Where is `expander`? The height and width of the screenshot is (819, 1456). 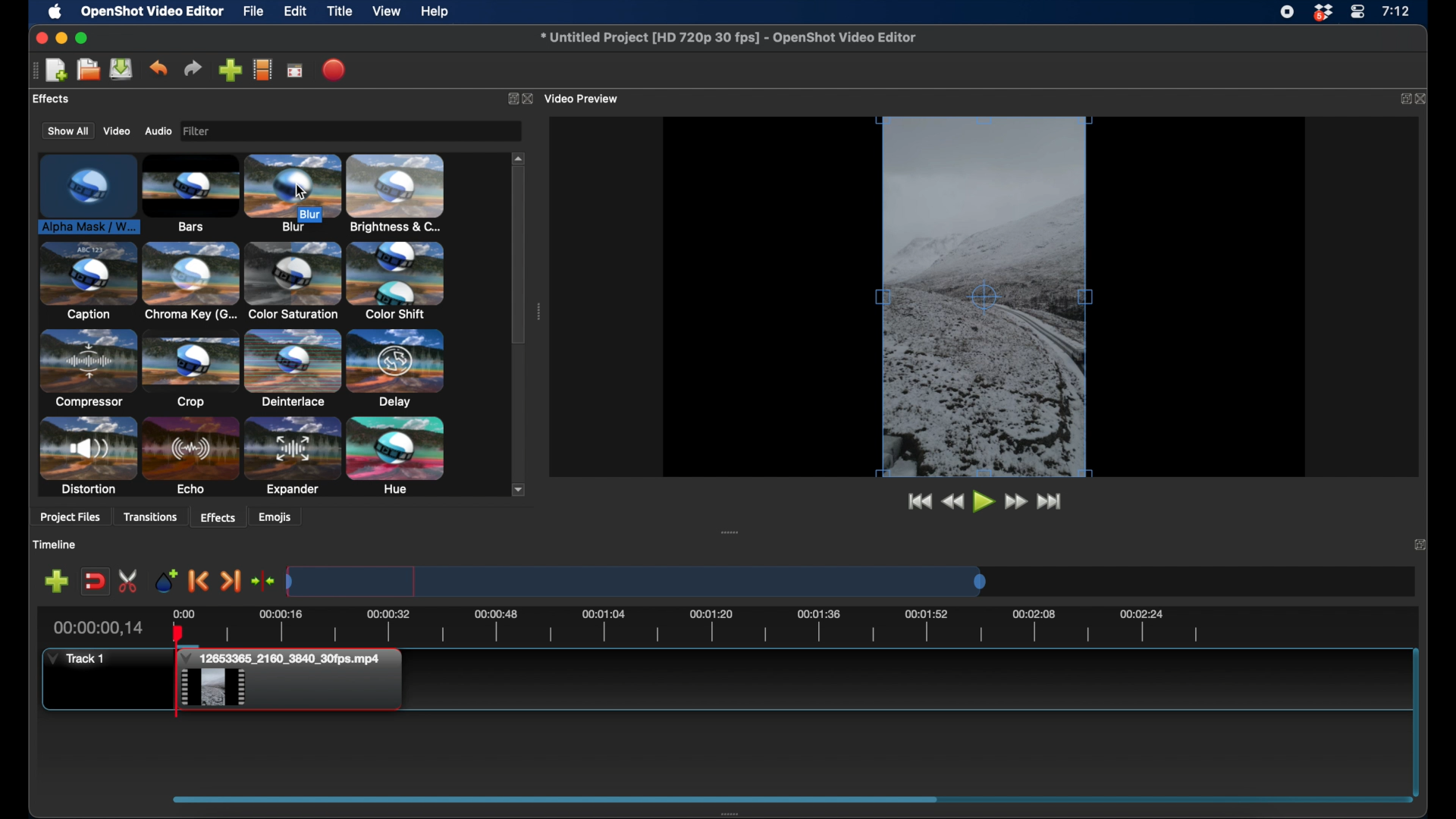 expander is located at coordinates (293, 457).